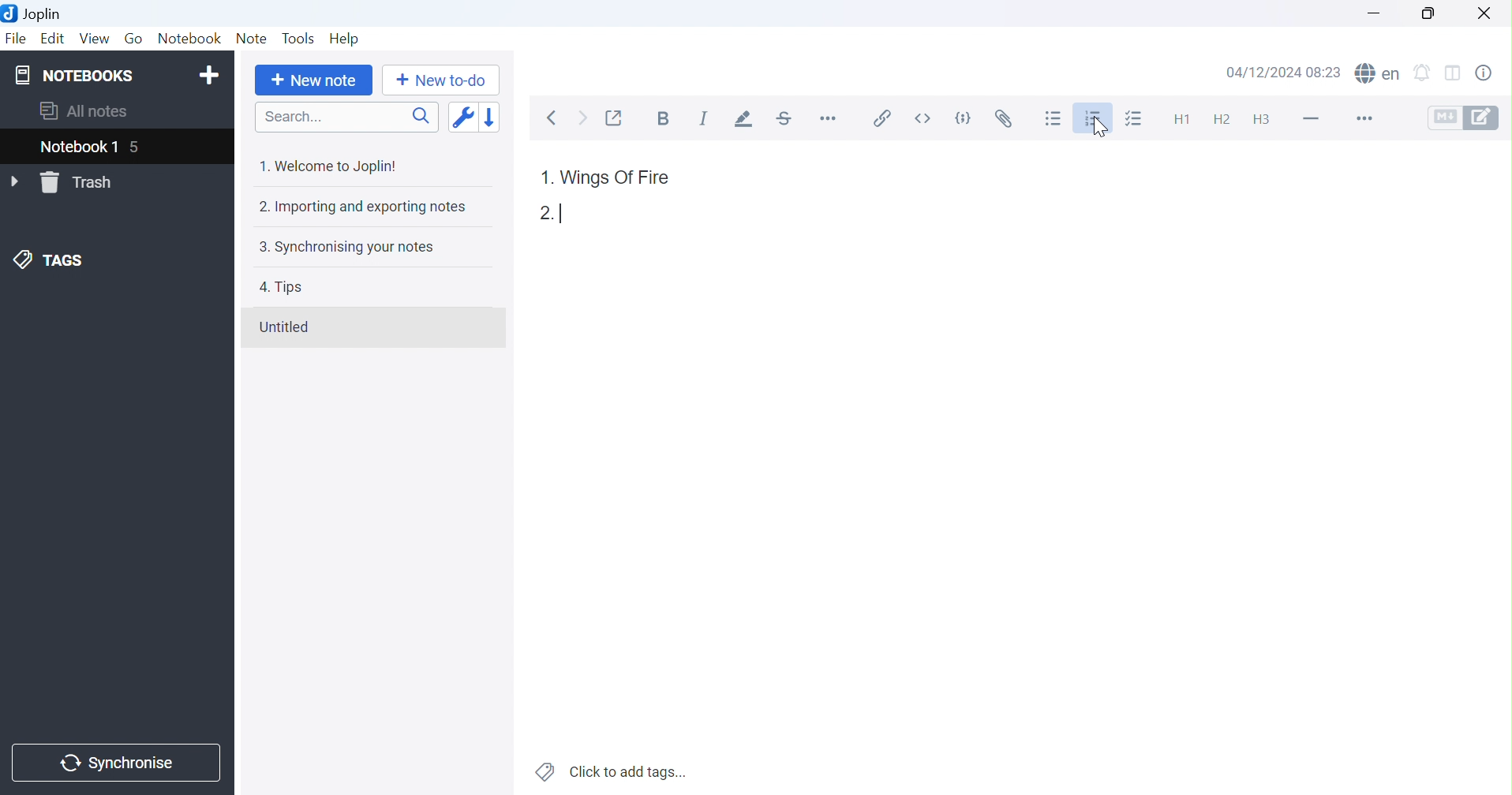 Image resolution: width=1512 pixels, height=795 pixels. Describe the element at coordinates (82, 113) in the screenshot. I see `All notes` at that location.